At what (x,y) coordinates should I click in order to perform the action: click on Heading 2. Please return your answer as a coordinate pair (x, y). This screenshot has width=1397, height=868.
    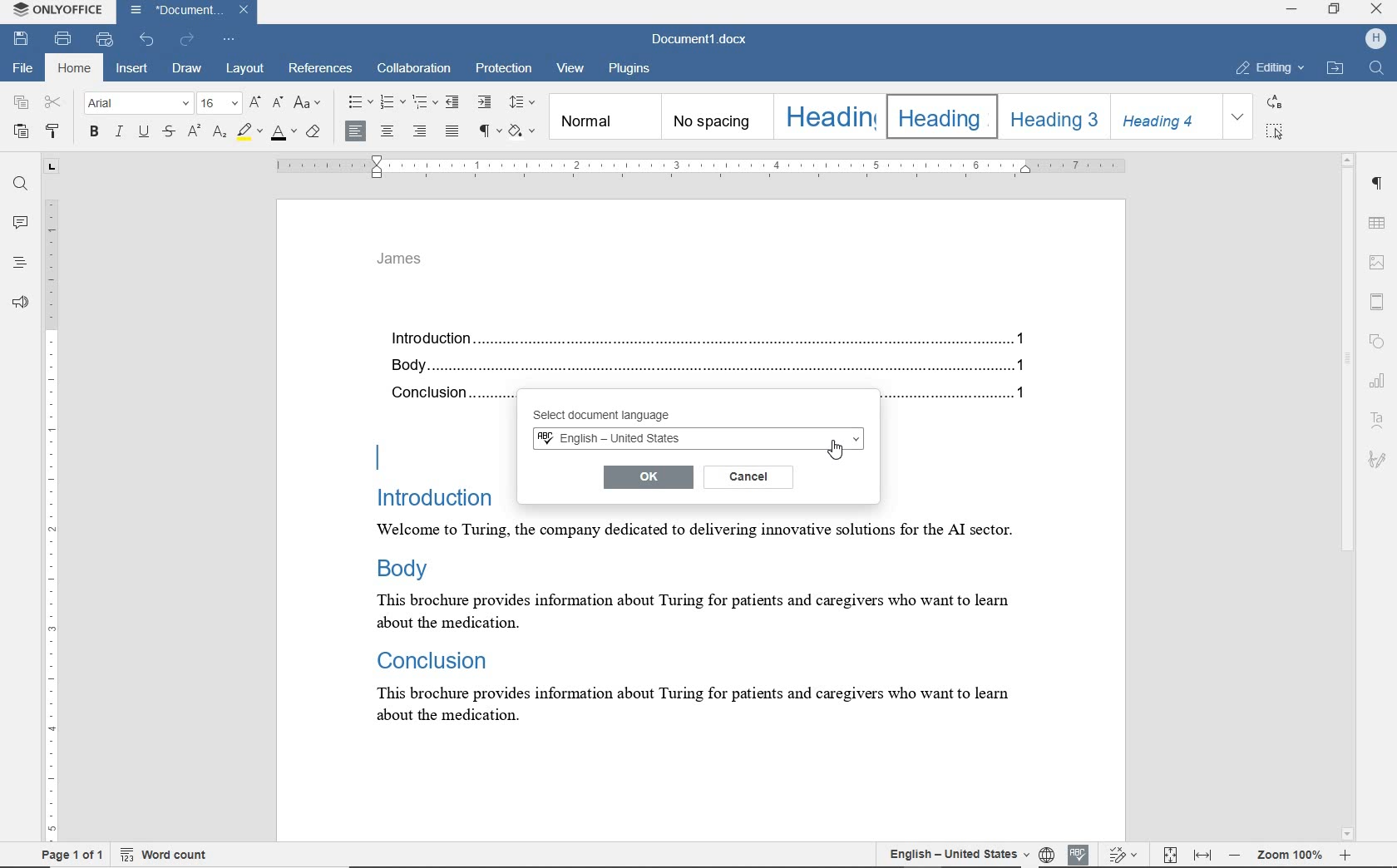
    Looking at the image, I should click on (938, 116).